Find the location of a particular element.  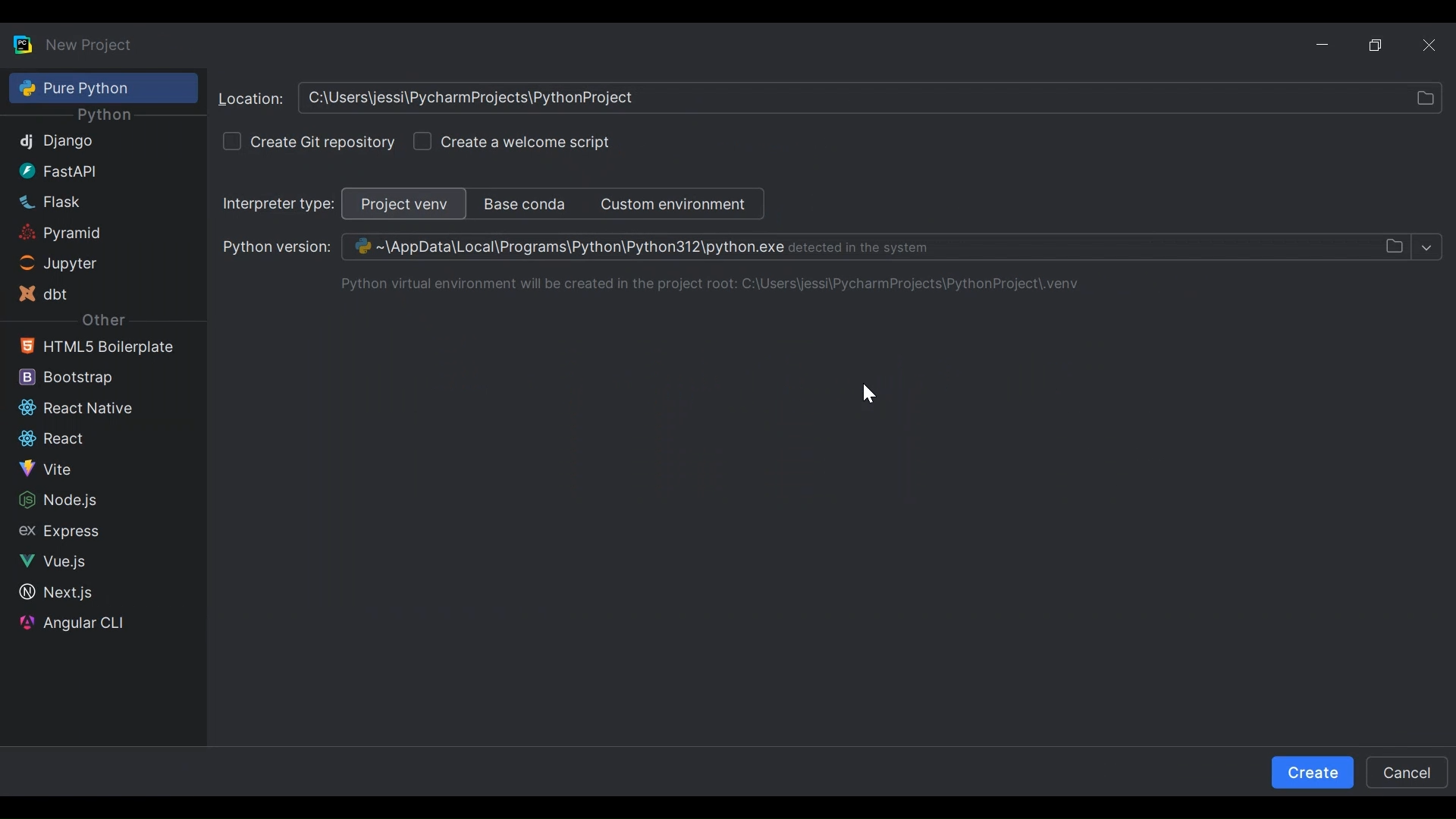

Custom Environment is located at coordinates (672, 204).